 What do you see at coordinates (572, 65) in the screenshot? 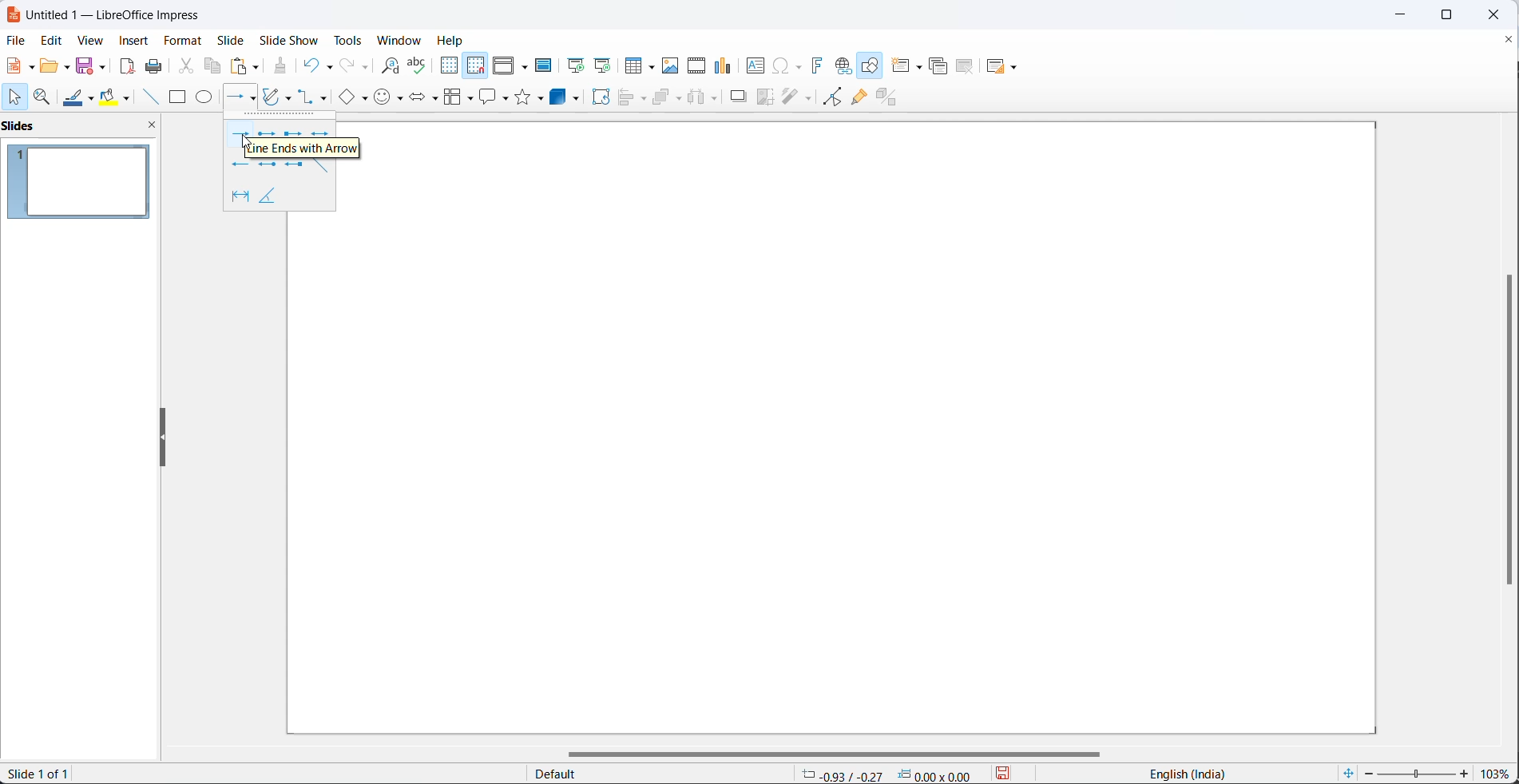
I see `start from first slide` at bounding box center [572, 65].